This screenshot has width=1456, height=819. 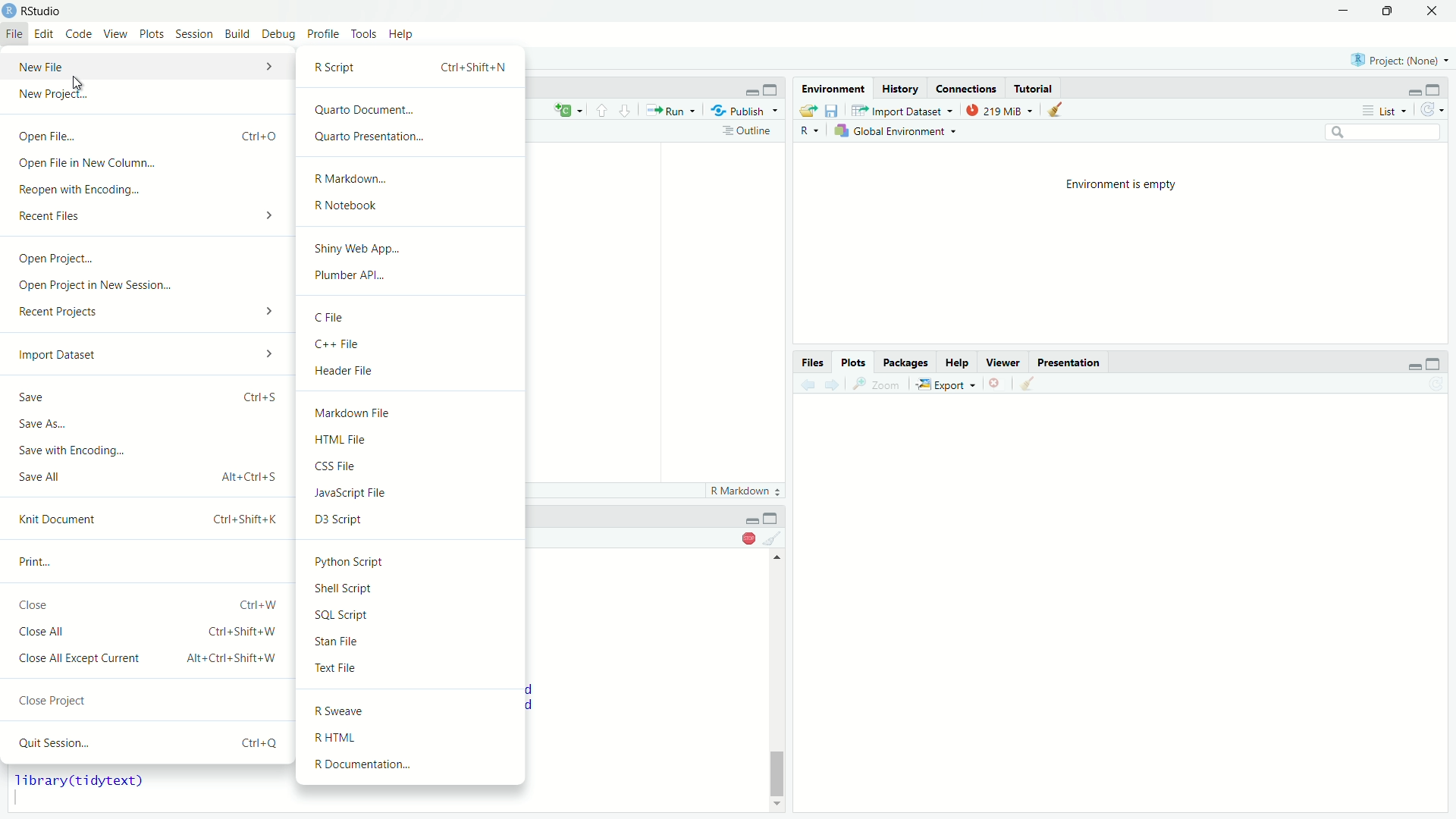 What do you see at coordinates (412, 738) in the screenshot?
I see `RHTML` at bounding box center [412, 738].